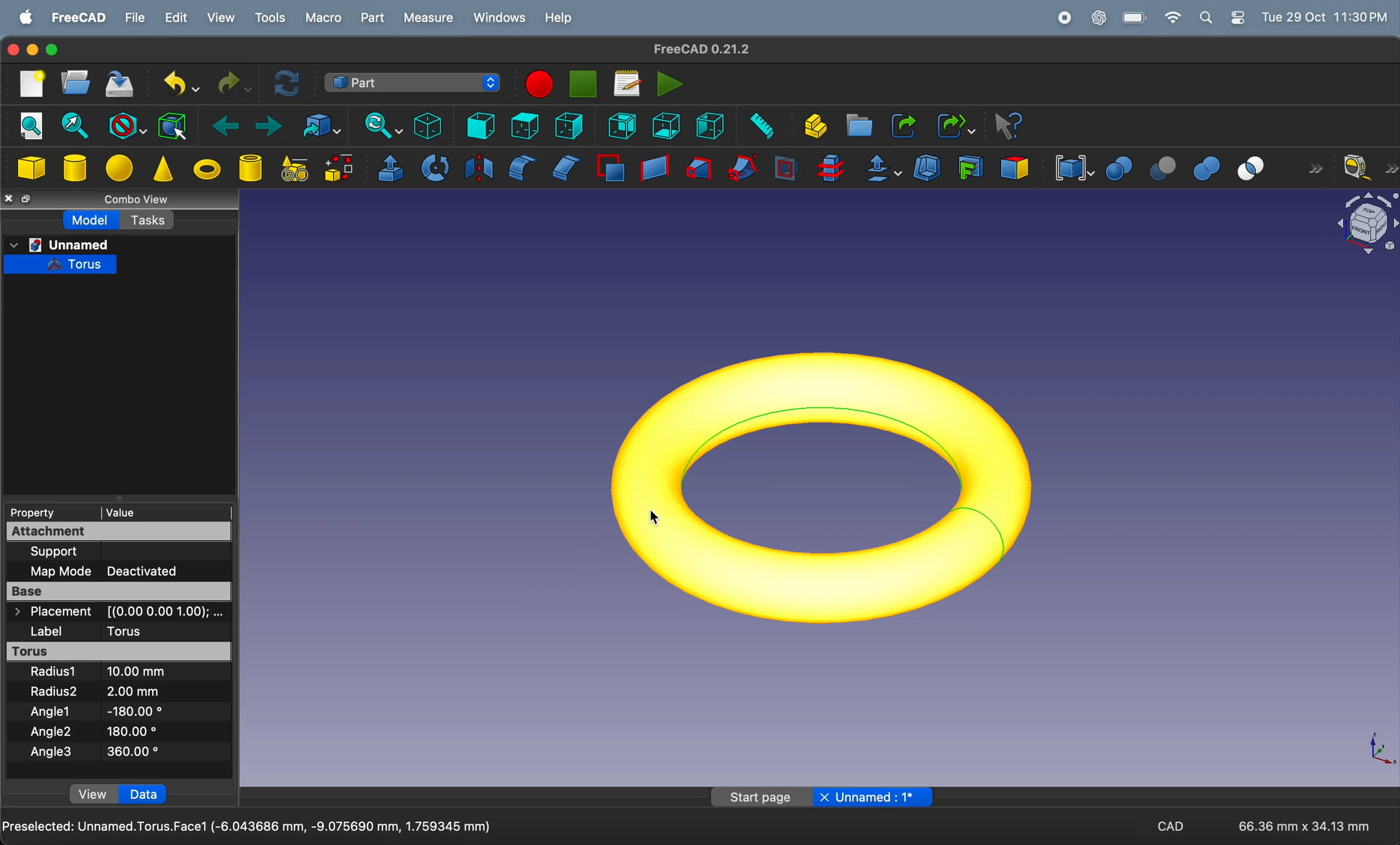 The image size is (1400, 845). What do you see at coordinates (1119, 166) in the screenshot?
I see `boolean` at bounding box center [1119, 166].